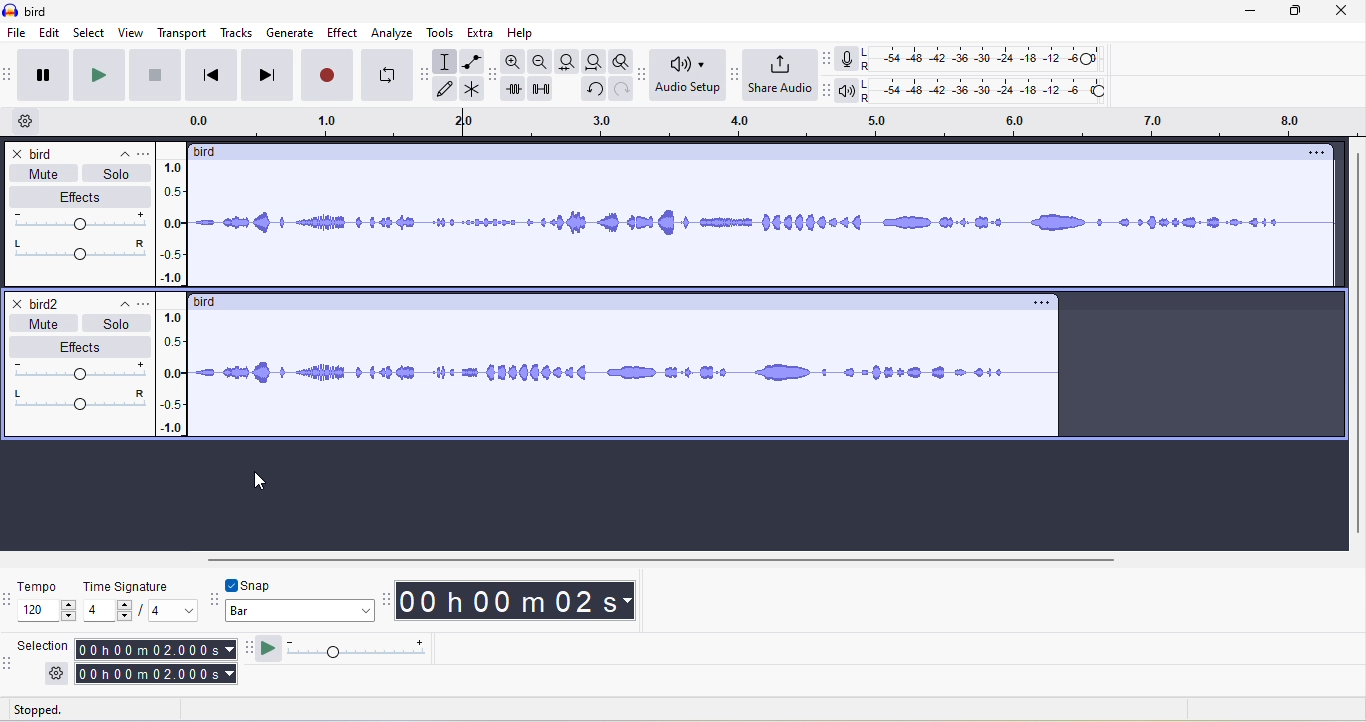 The image size is (1366, 722). I want to click on audacity recording meter toolbar, so click(827, 61).